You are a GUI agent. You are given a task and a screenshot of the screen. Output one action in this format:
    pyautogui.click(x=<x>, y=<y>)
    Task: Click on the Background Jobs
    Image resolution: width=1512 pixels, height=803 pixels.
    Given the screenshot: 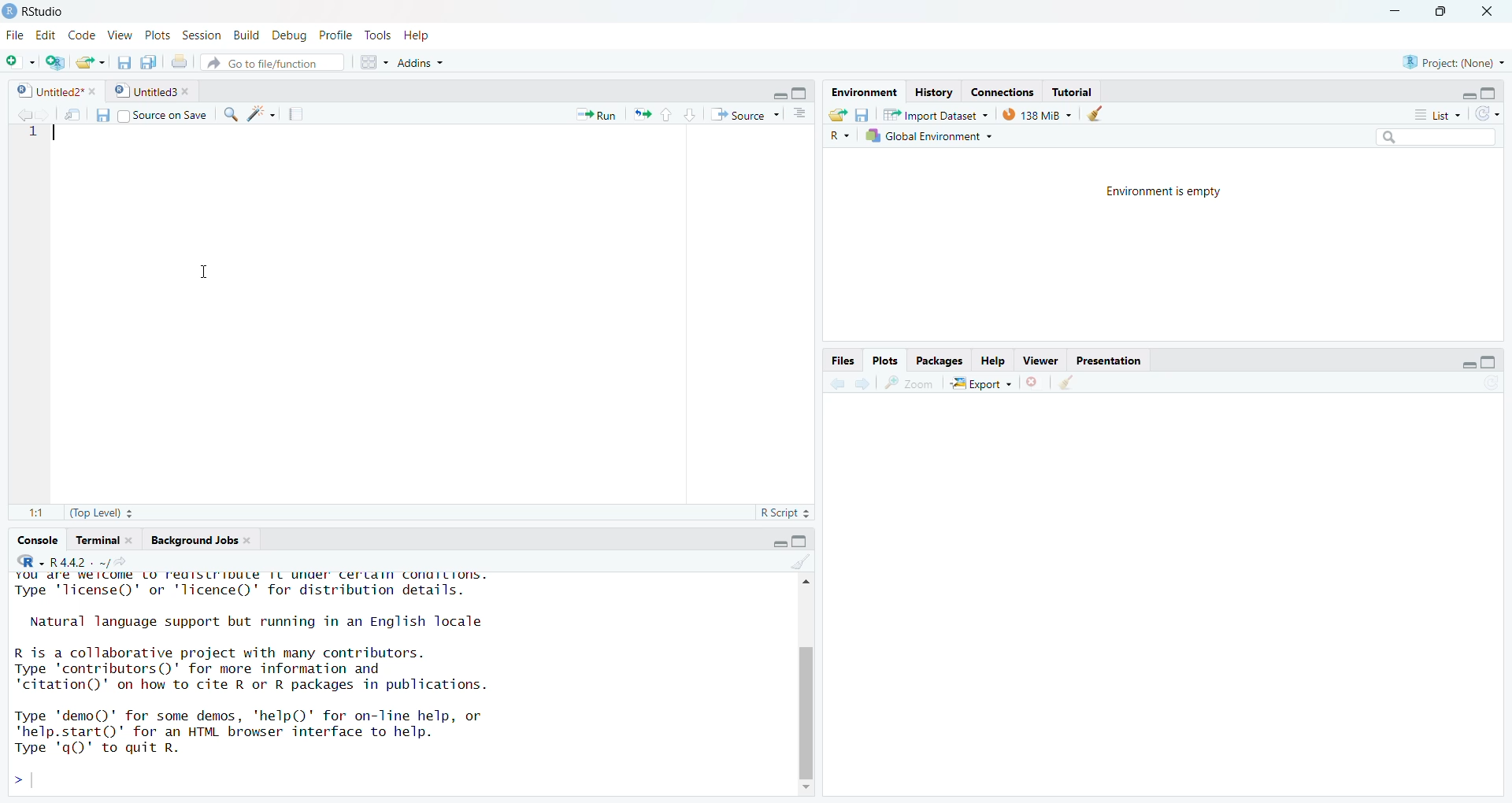 What is the action you would take?
    pyautogui.click(x=199, y=538)
    